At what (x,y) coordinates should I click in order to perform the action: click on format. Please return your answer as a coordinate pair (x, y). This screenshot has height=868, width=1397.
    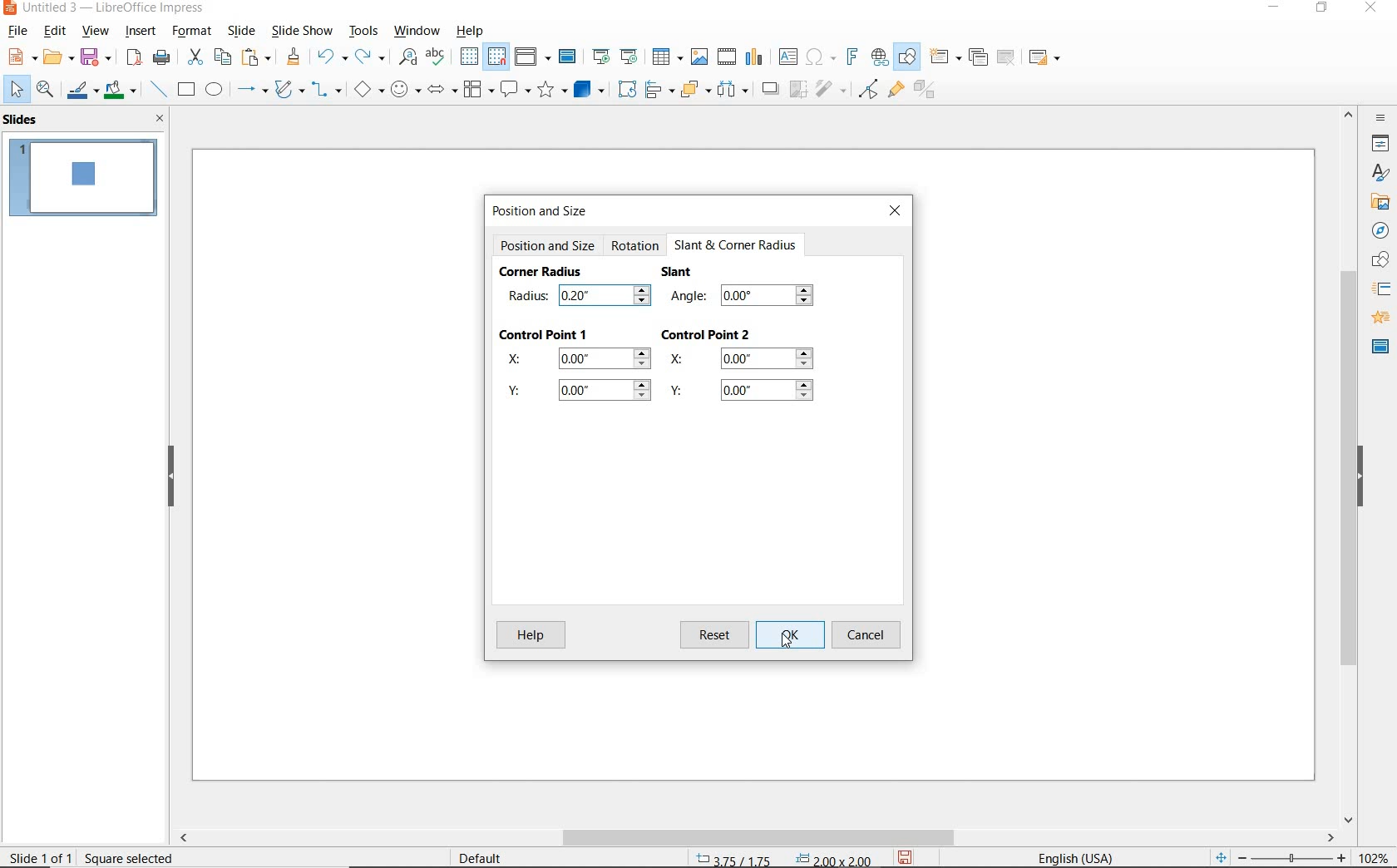
    Looking at the image, I should click on (194, 32).